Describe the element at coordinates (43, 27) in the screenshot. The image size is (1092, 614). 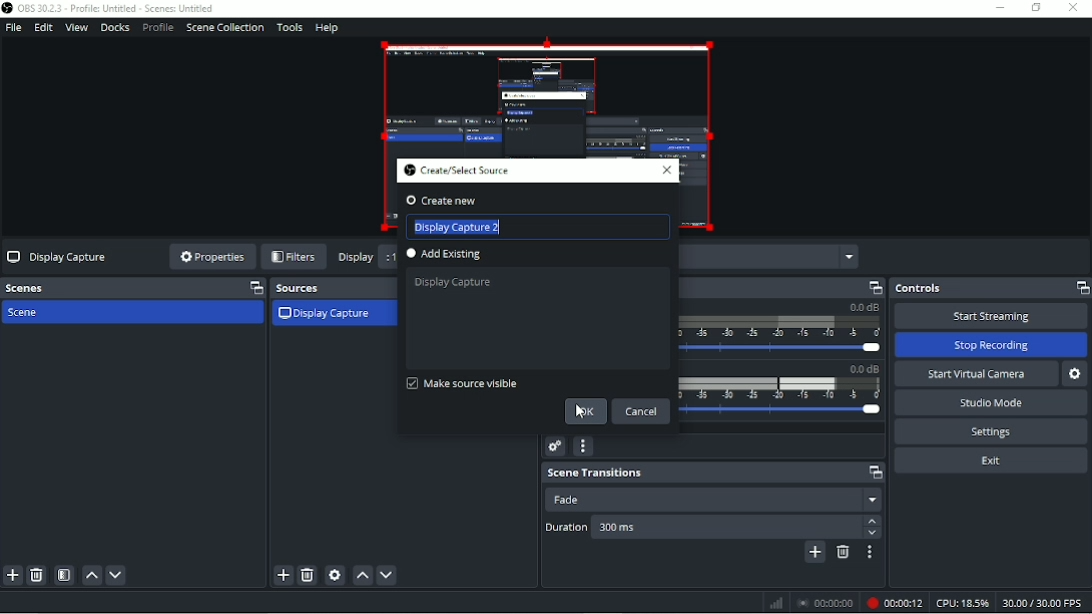
I see `Edit` at that location.